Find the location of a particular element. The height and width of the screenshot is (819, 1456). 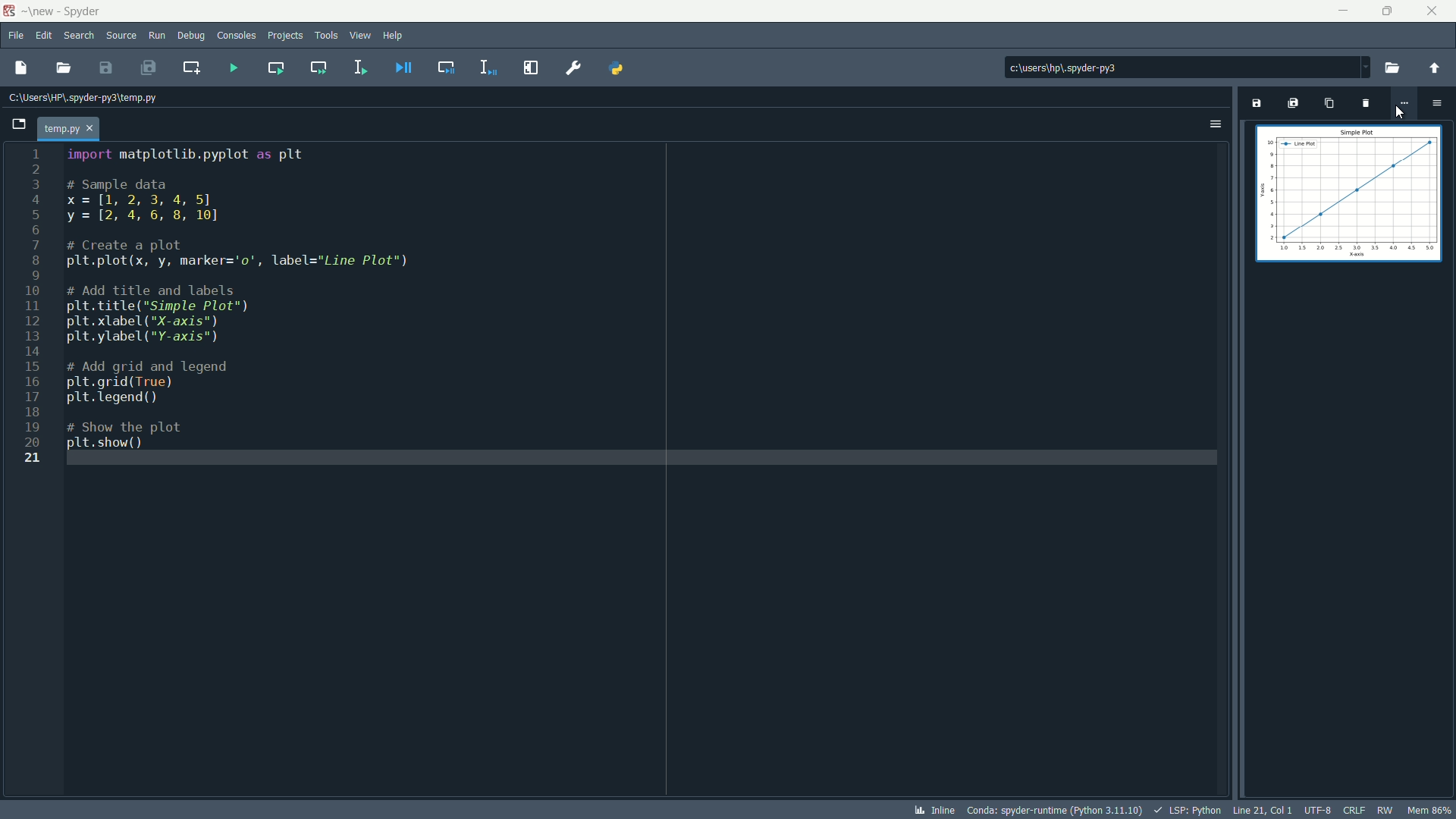

browse tabs is located at coordinates (21, 124).